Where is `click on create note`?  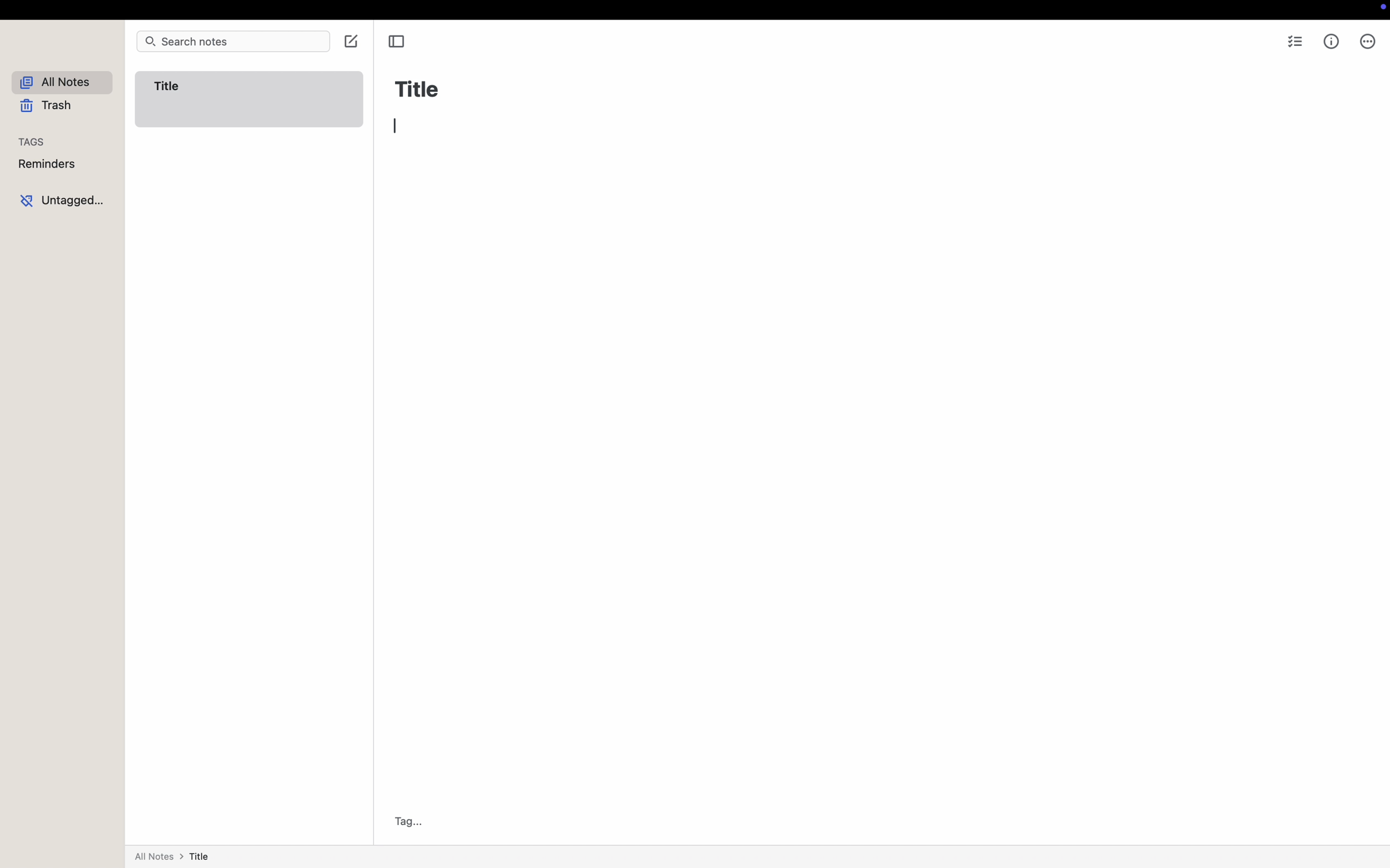 click on create note is located at coordinates (354, 43).